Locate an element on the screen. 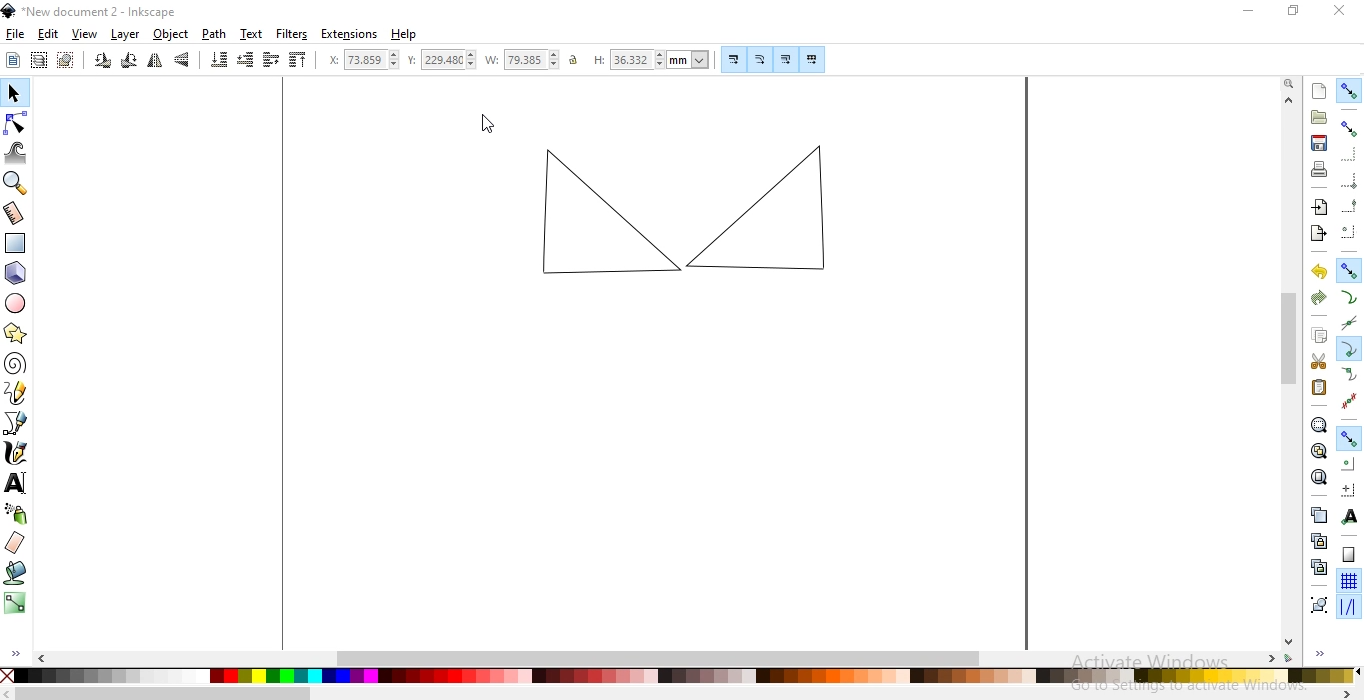  view is located at coordinates (85, 34).